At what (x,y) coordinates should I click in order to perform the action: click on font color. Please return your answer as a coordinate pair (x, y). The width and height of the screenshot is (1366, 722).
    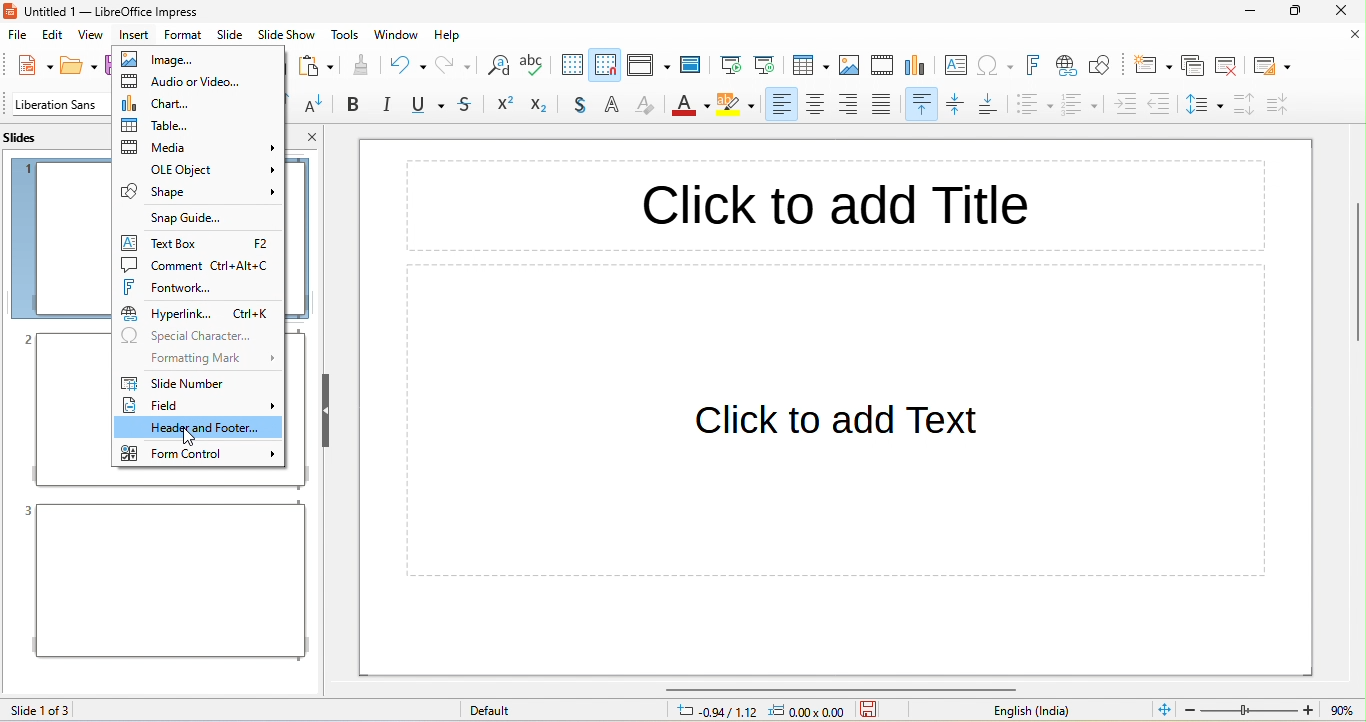
    Looking at the image, I should click on (689, 108).